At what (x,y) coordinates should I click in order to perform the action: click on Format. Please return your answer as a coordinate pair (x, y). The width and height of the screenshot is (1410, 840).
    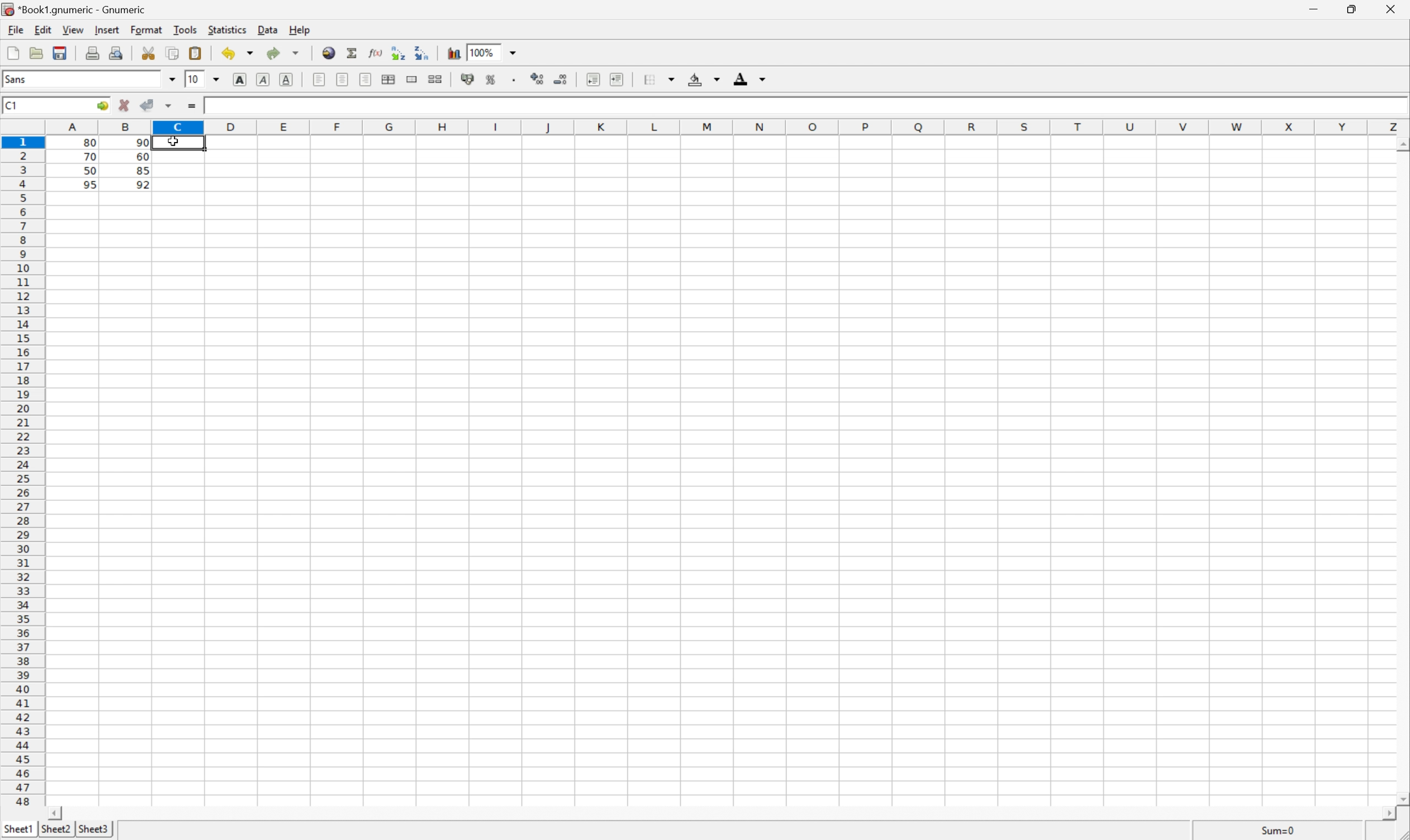
    Looking at the image, I should click on (146, 28).